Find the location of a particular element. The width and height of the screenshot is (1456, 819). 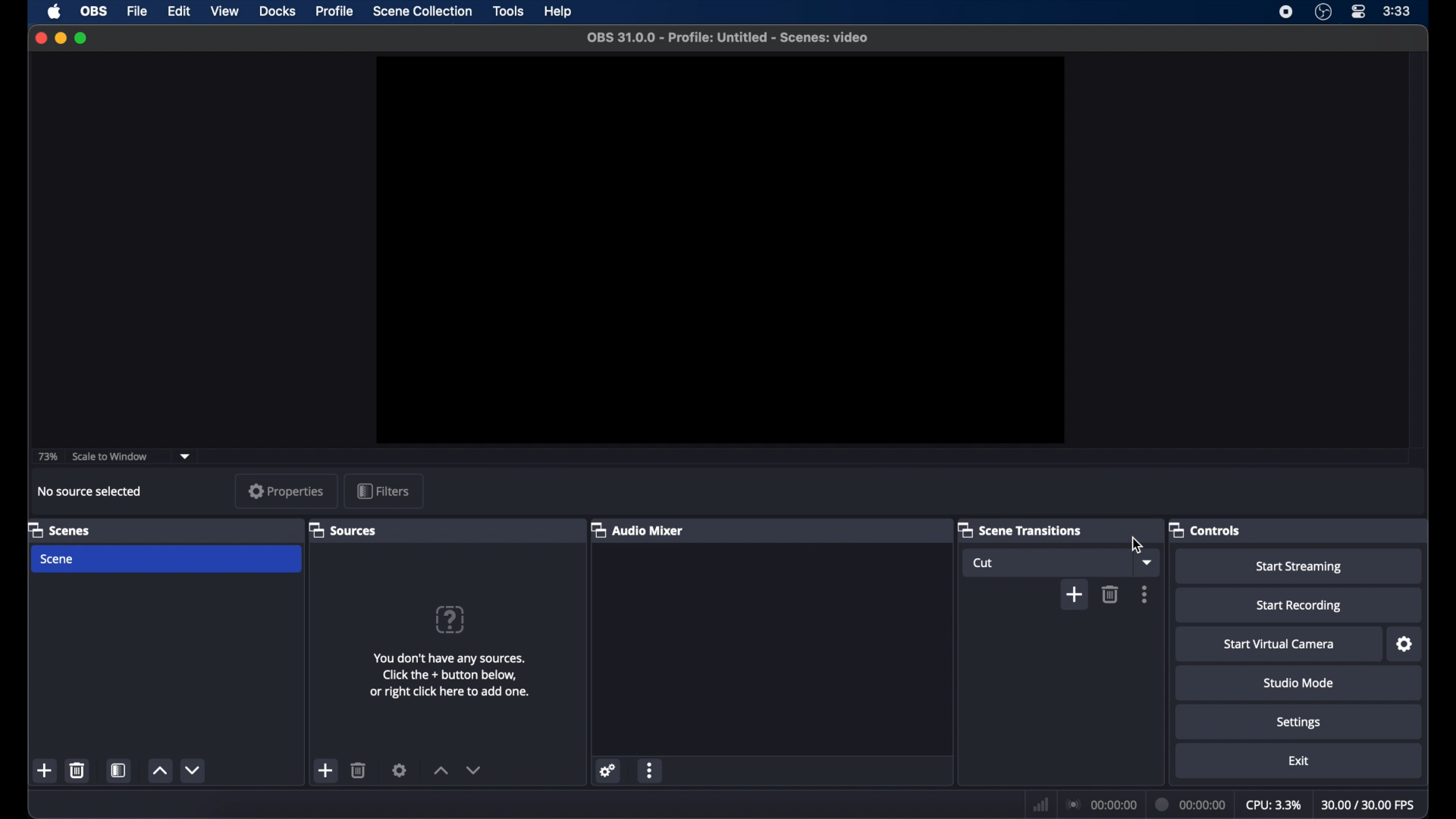

question mark icon is located at coordinates (451, 619).